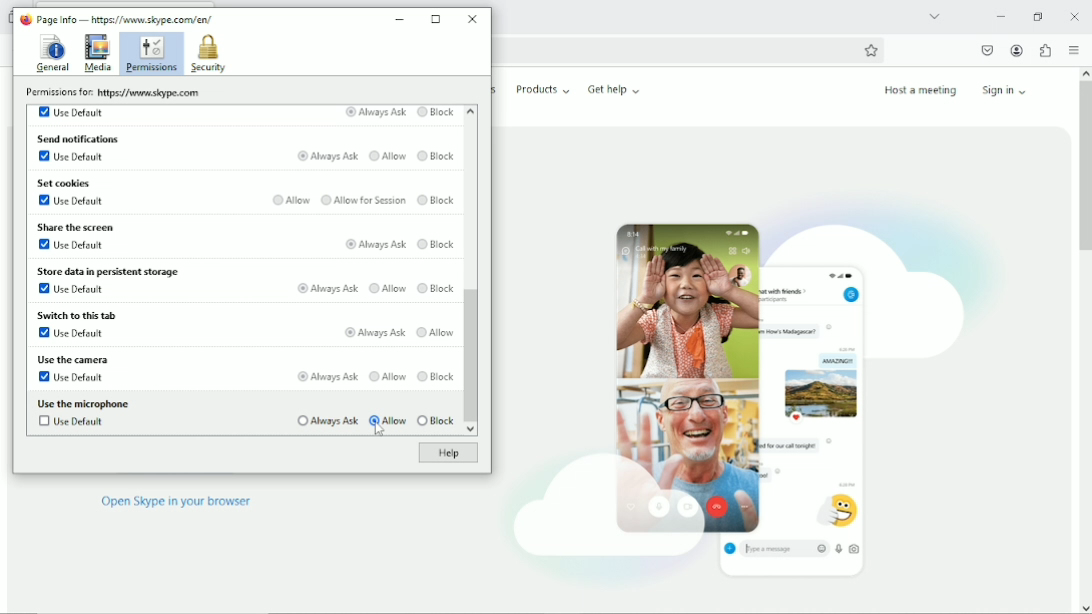 This screenshot has width=1092, height=614. Describe the element at coordinates (292, 199) in the screenshot. I see `Allow` at that location.